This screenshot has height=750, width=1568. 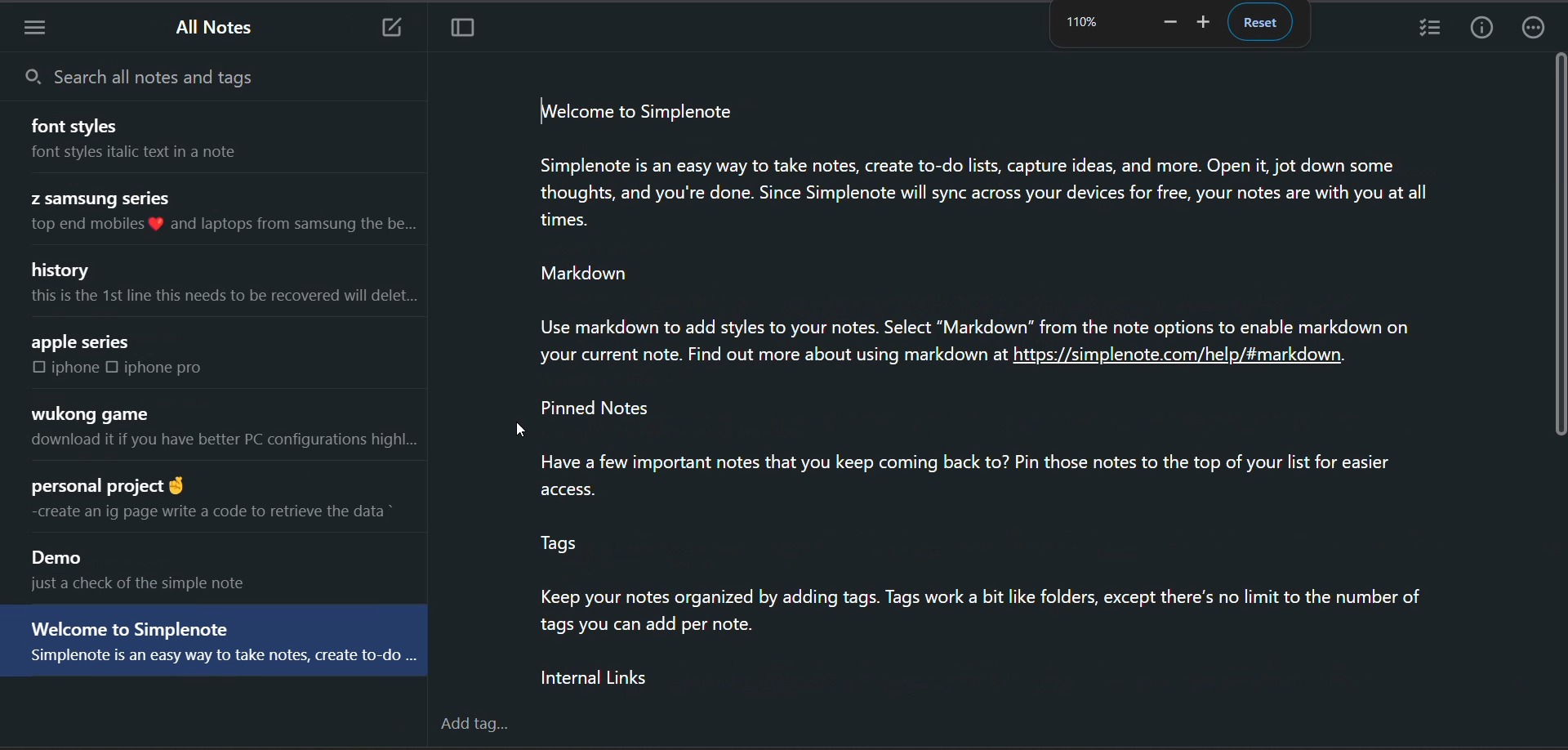 I want to click on Demo, so click(x=65, y=559).